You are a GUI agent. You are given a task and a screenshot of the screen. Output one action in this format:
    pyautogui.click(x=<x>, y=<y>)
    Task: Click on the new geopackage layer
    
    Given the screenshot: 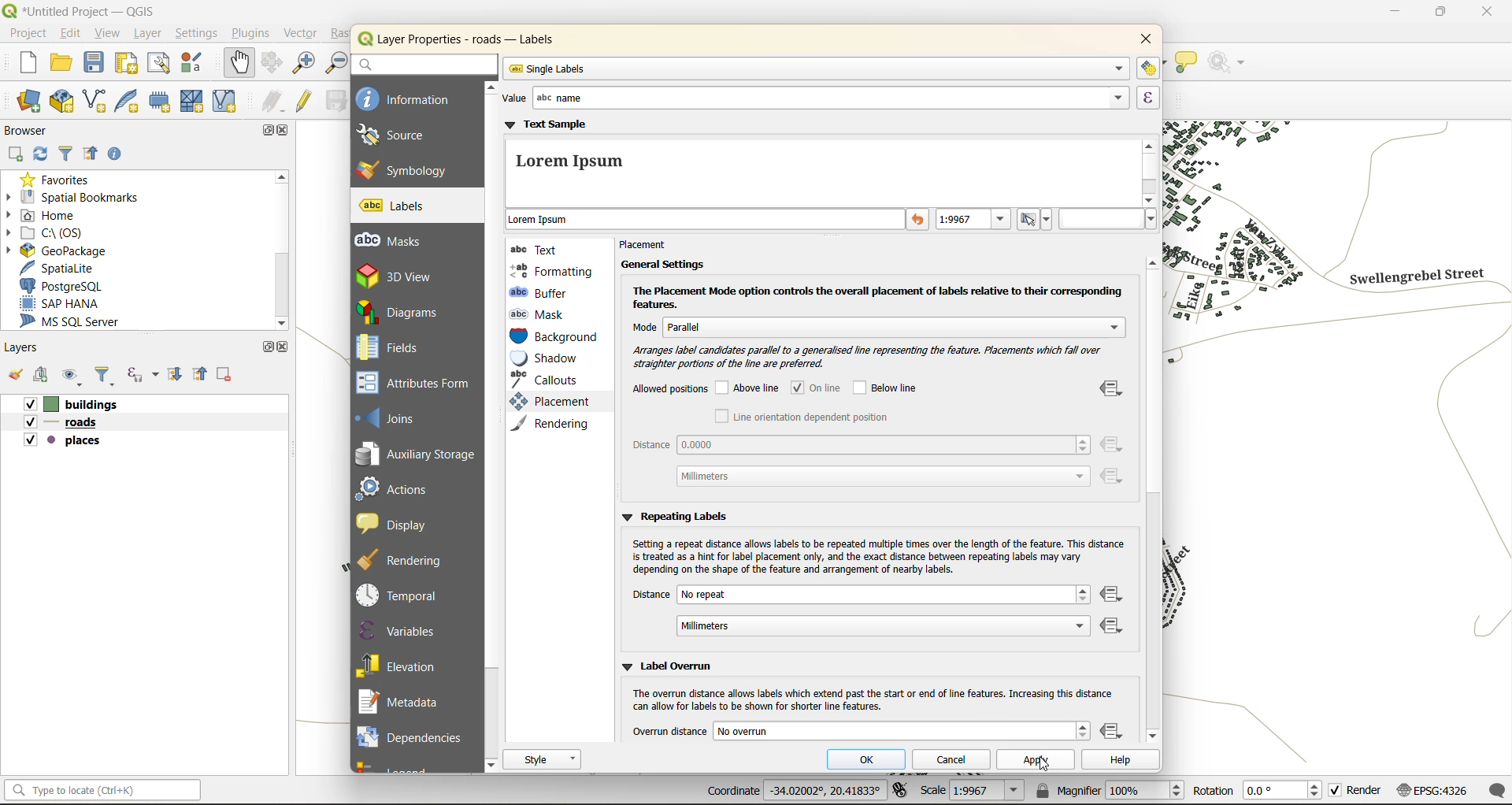 What is the action you would take?
    pyautogui.click(x=66, y=105)
    